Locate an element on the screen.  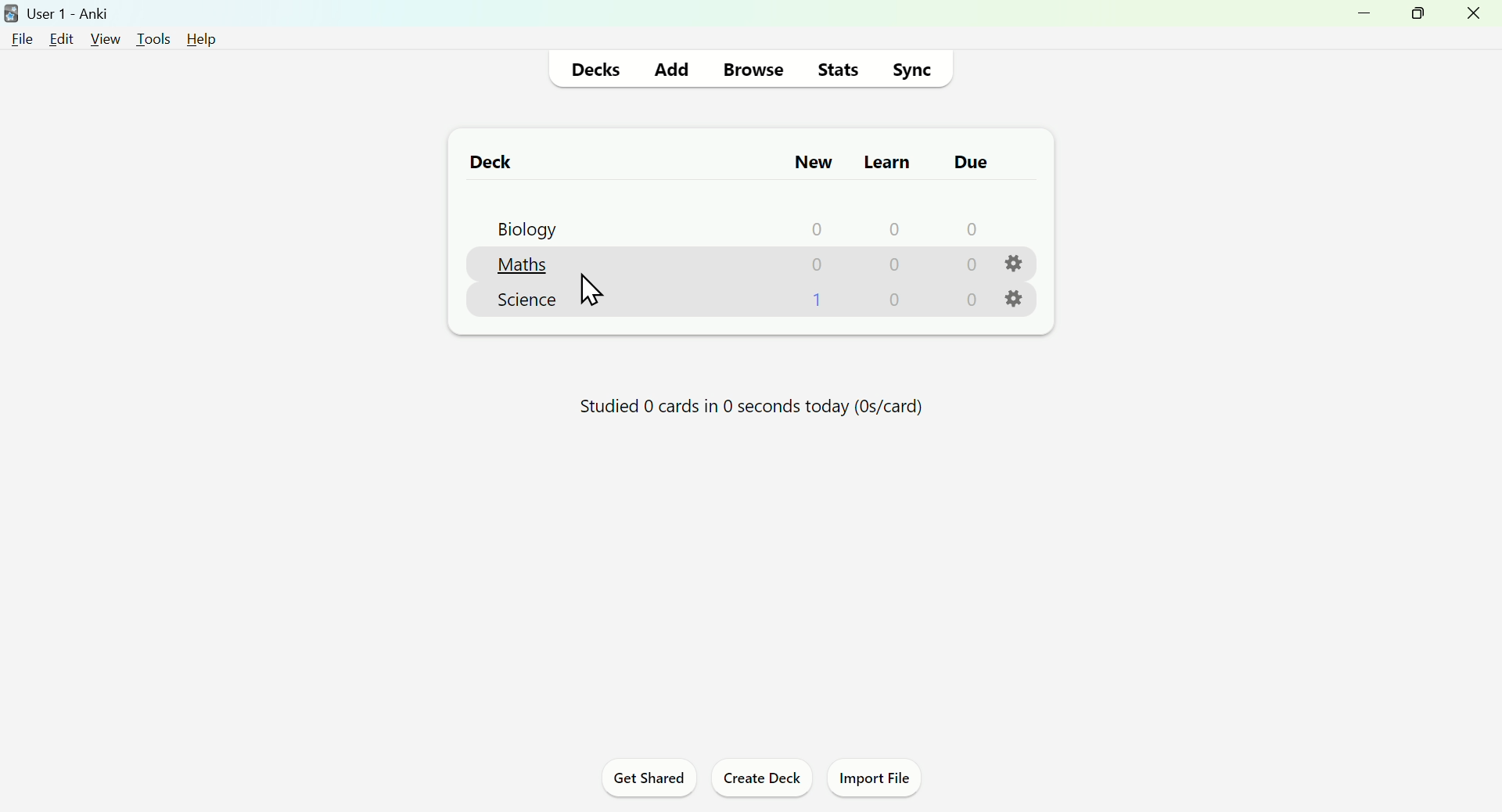
Add is located at coordinates (672, 66).